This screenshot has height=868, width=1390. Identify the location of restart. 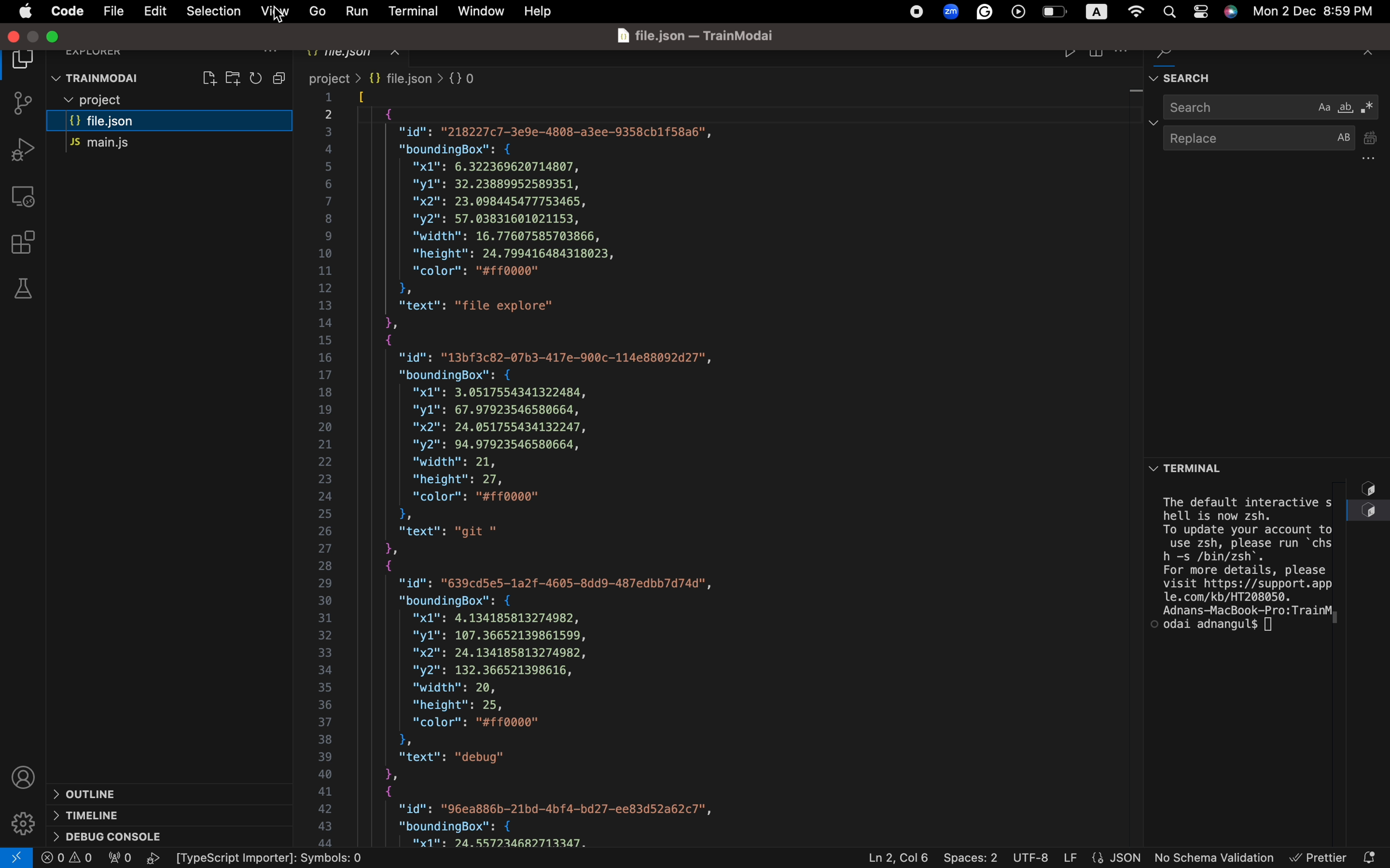
(256, 78).